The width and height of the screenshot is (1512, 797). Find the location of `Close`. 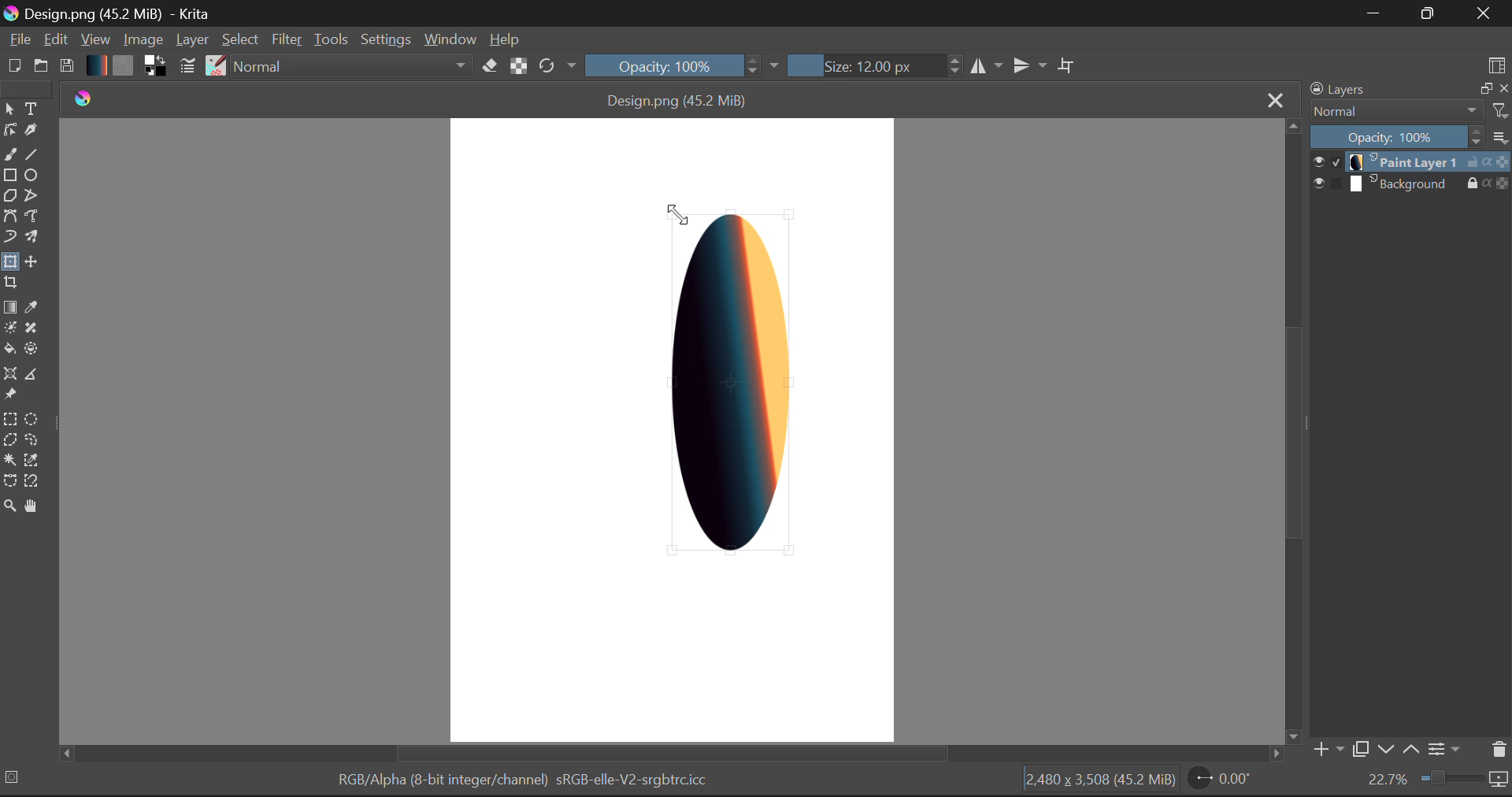

Close is located at coordinates (1487, 13).